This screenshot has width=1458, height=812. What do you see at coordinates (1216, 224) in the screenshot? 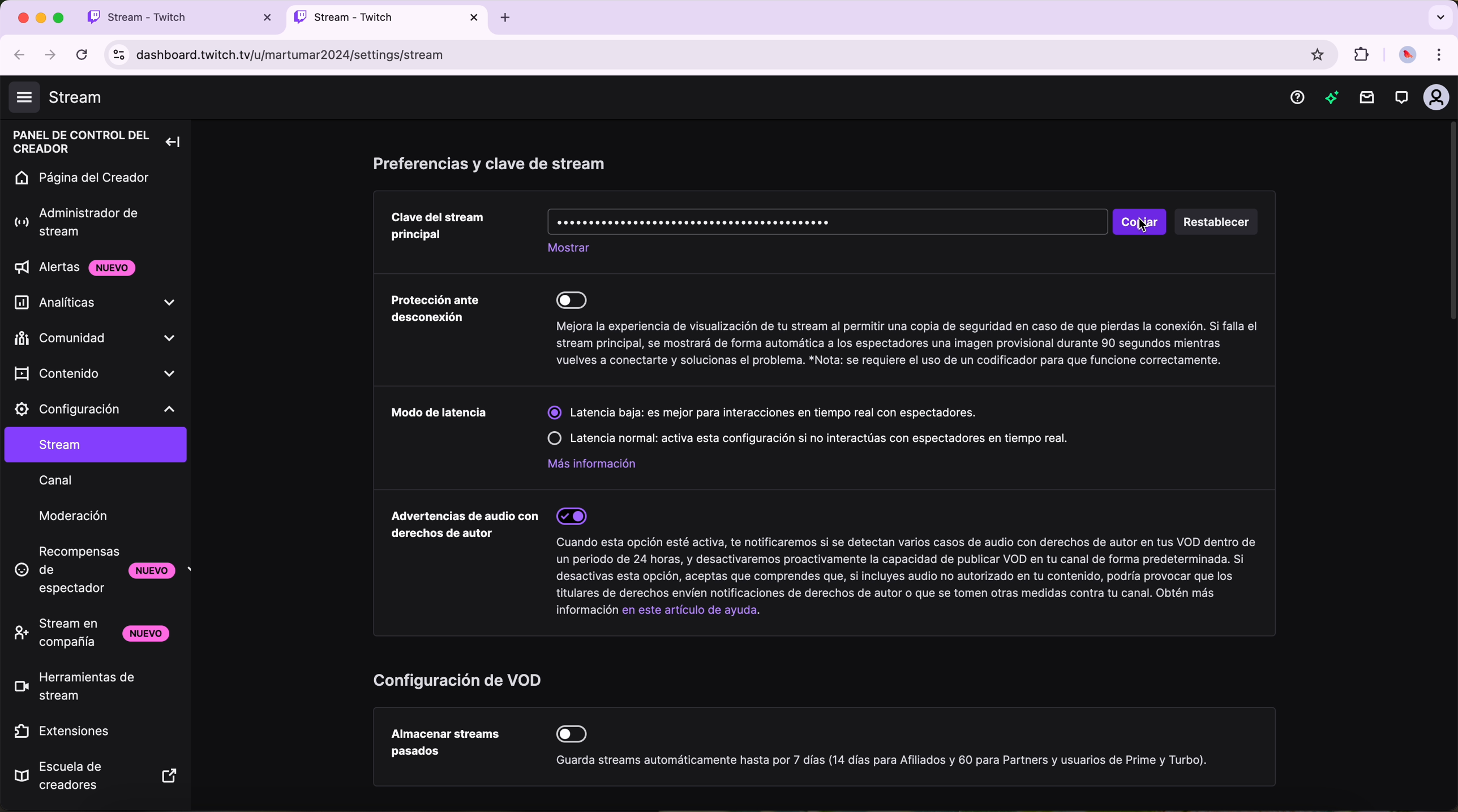
I see `reset button` at bounding box center [1216, 224].